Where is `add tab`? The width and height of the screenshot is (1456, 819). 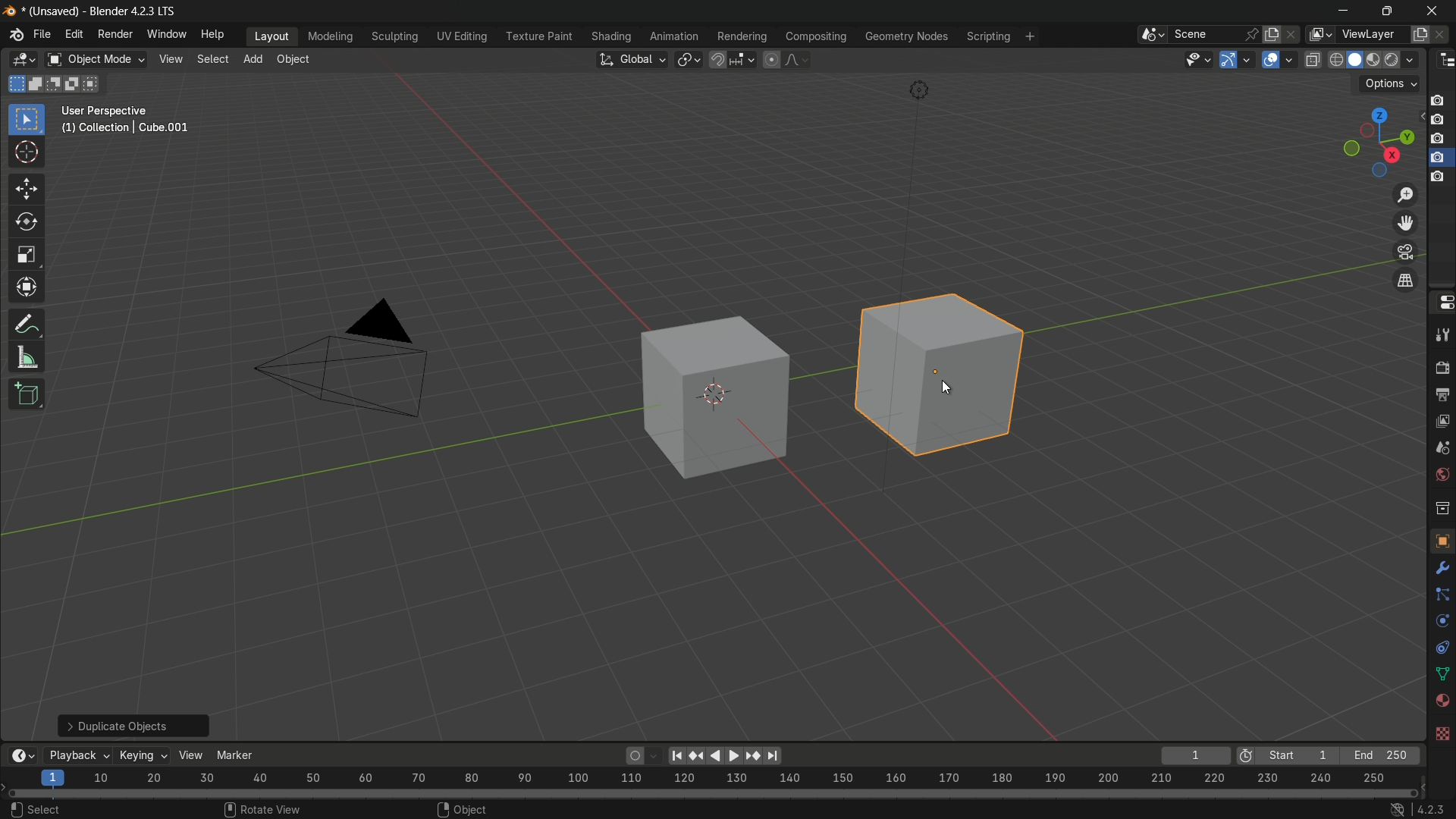 add tab is located at coordinates (256, 61).